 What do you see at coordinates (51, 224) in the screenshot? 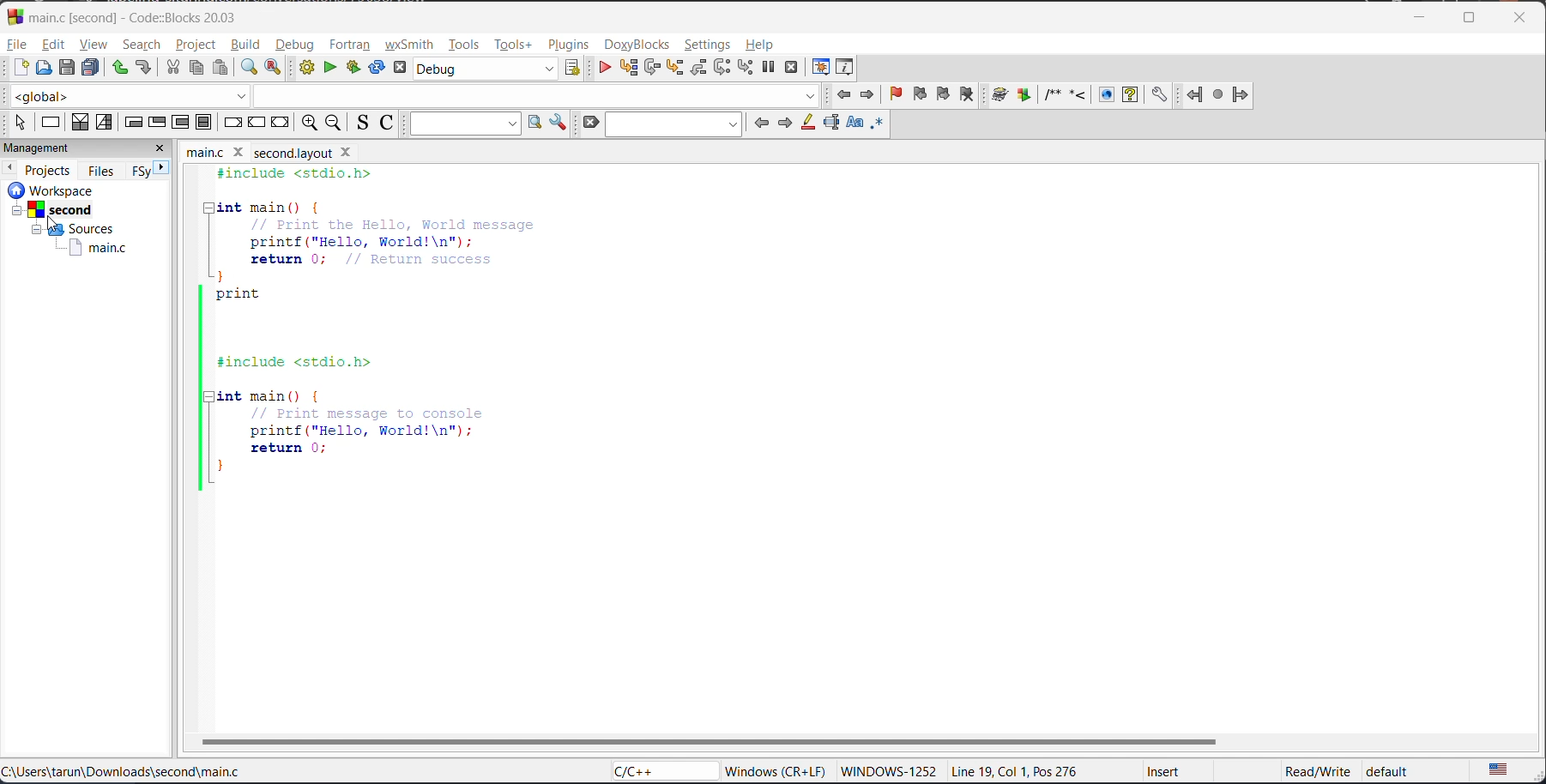
I see `cursor` at bounding box center [51, 224].